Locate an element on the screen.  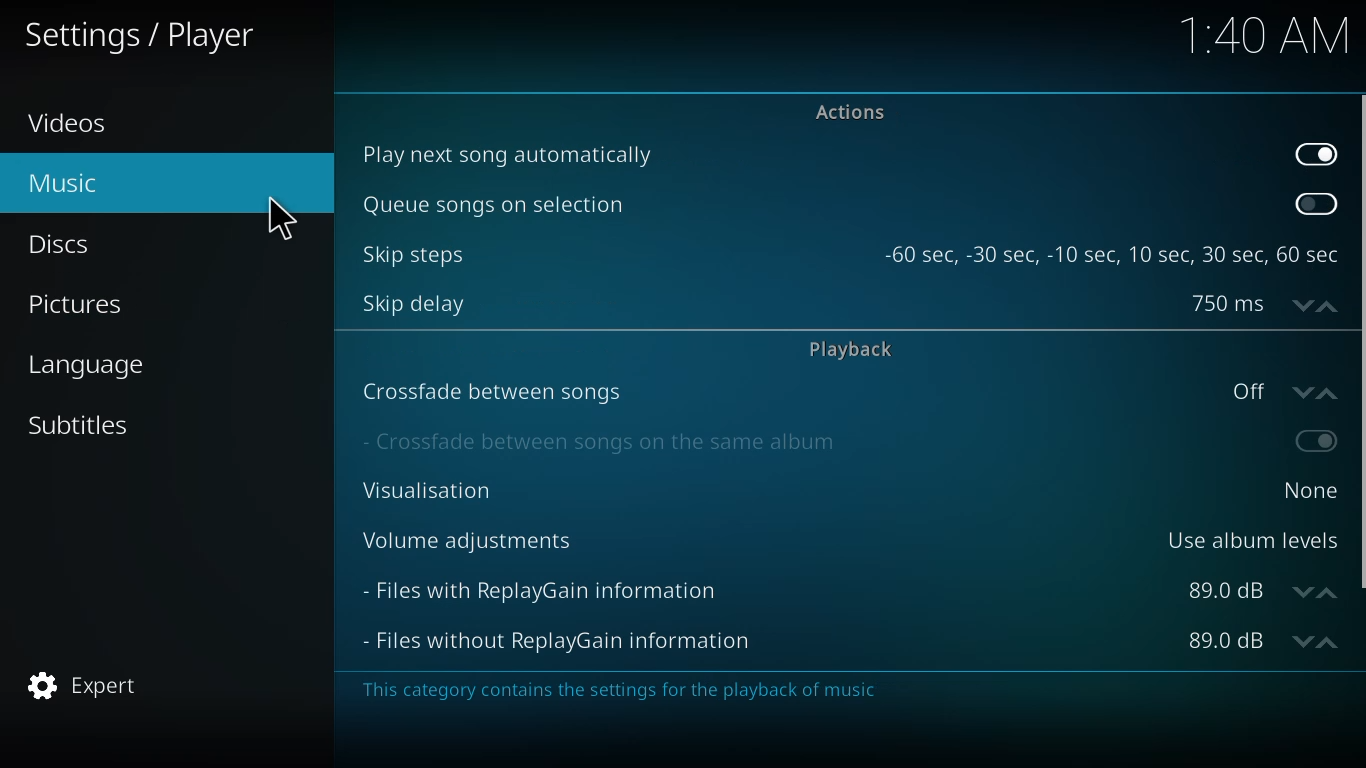
enabled is located at coordinates (1315, 154).